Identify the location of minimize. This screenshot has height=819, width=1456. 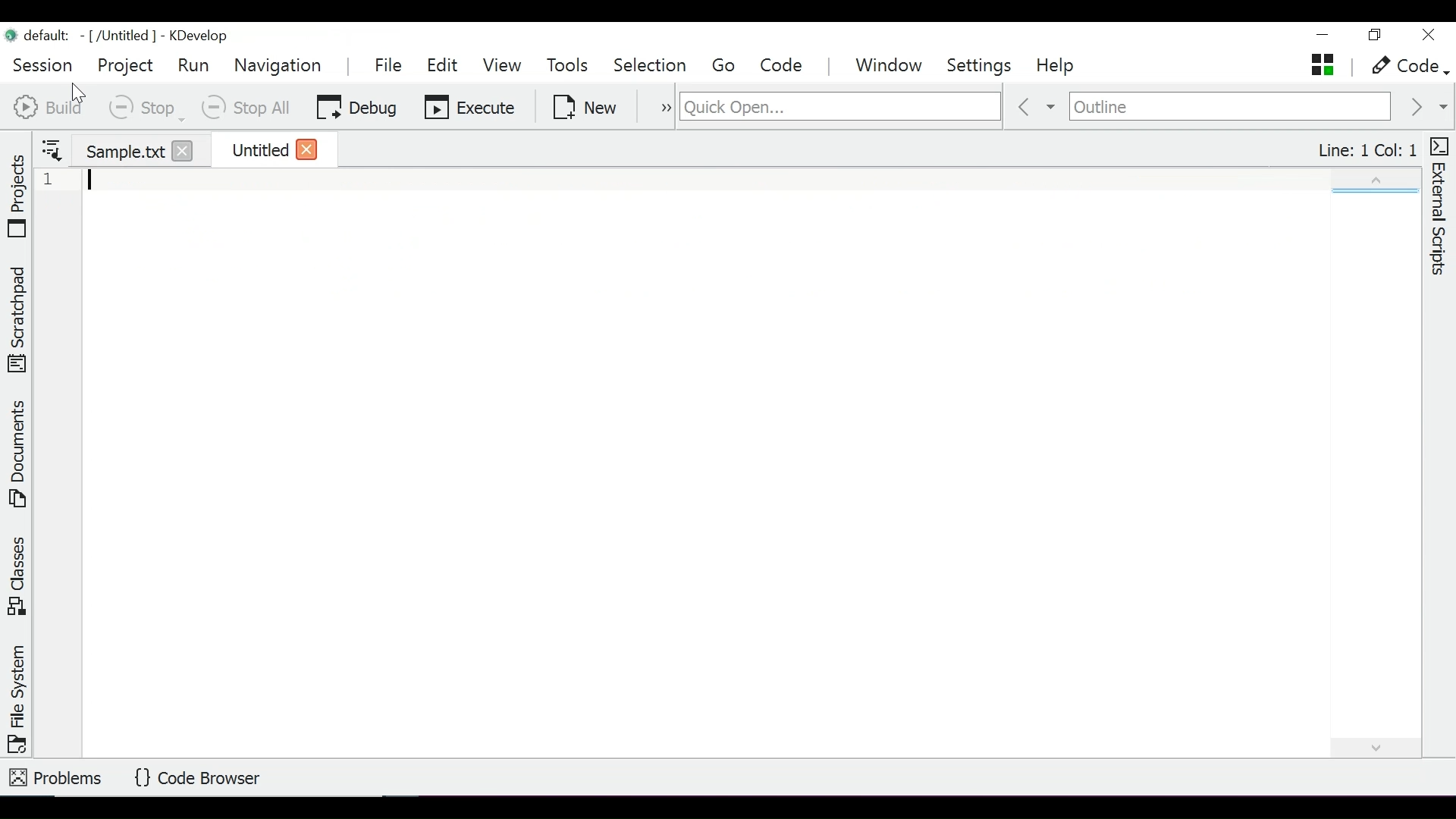
(1325, 37).